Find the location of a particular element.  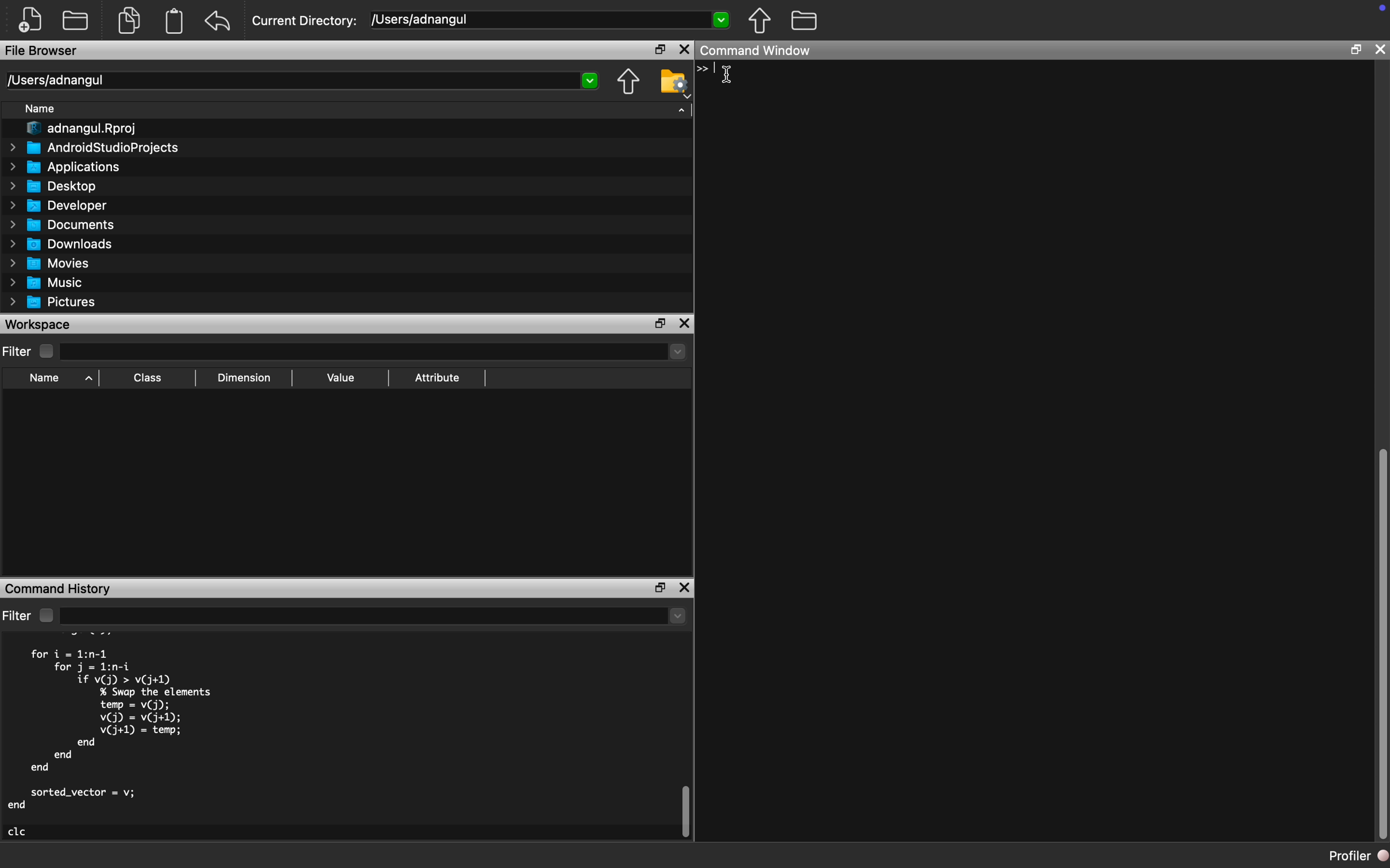

Parent Directory is located at coordinates (760, 21).